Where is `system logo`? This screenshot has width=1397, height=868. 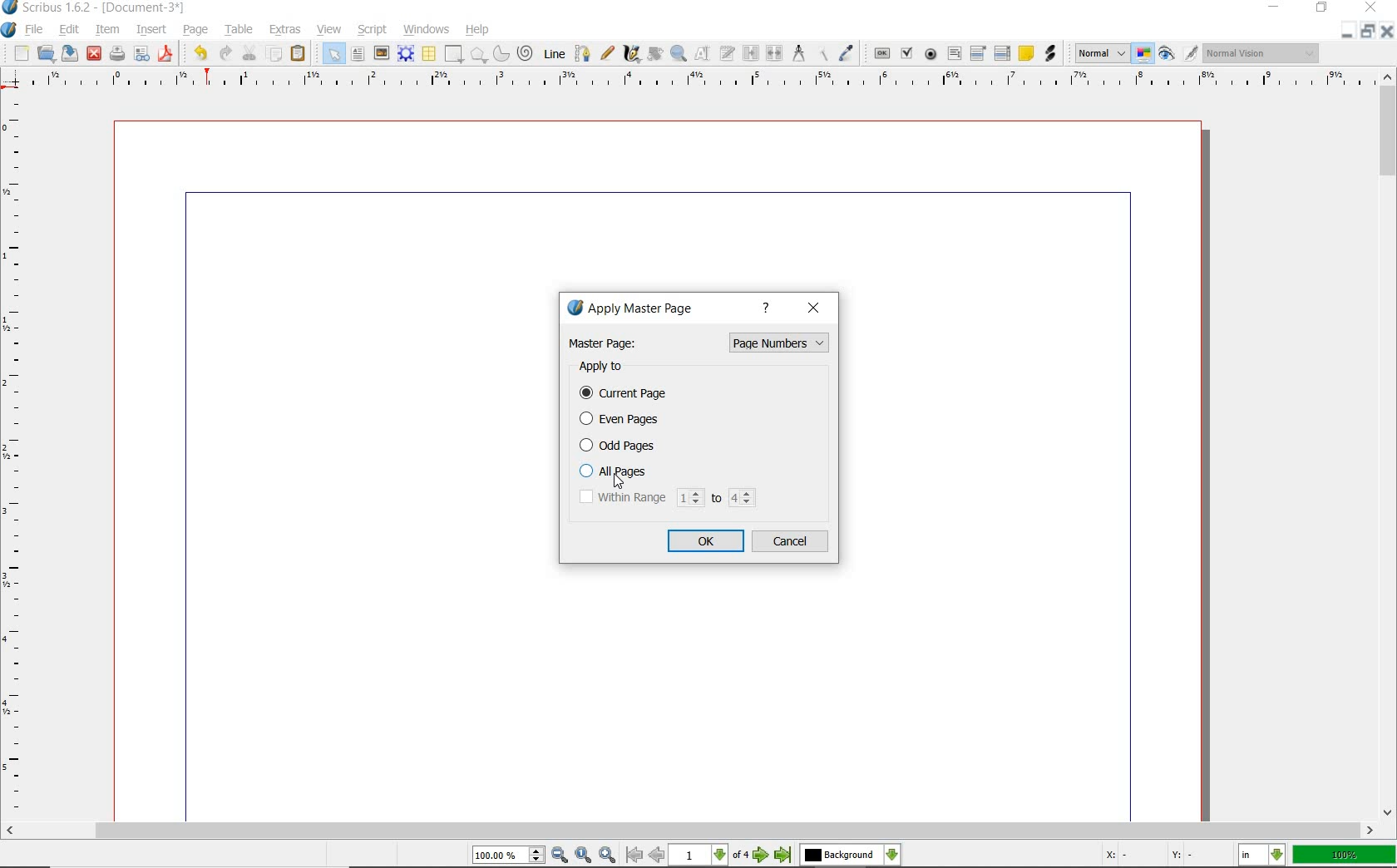 system logo is located at coordinates (9, 31).